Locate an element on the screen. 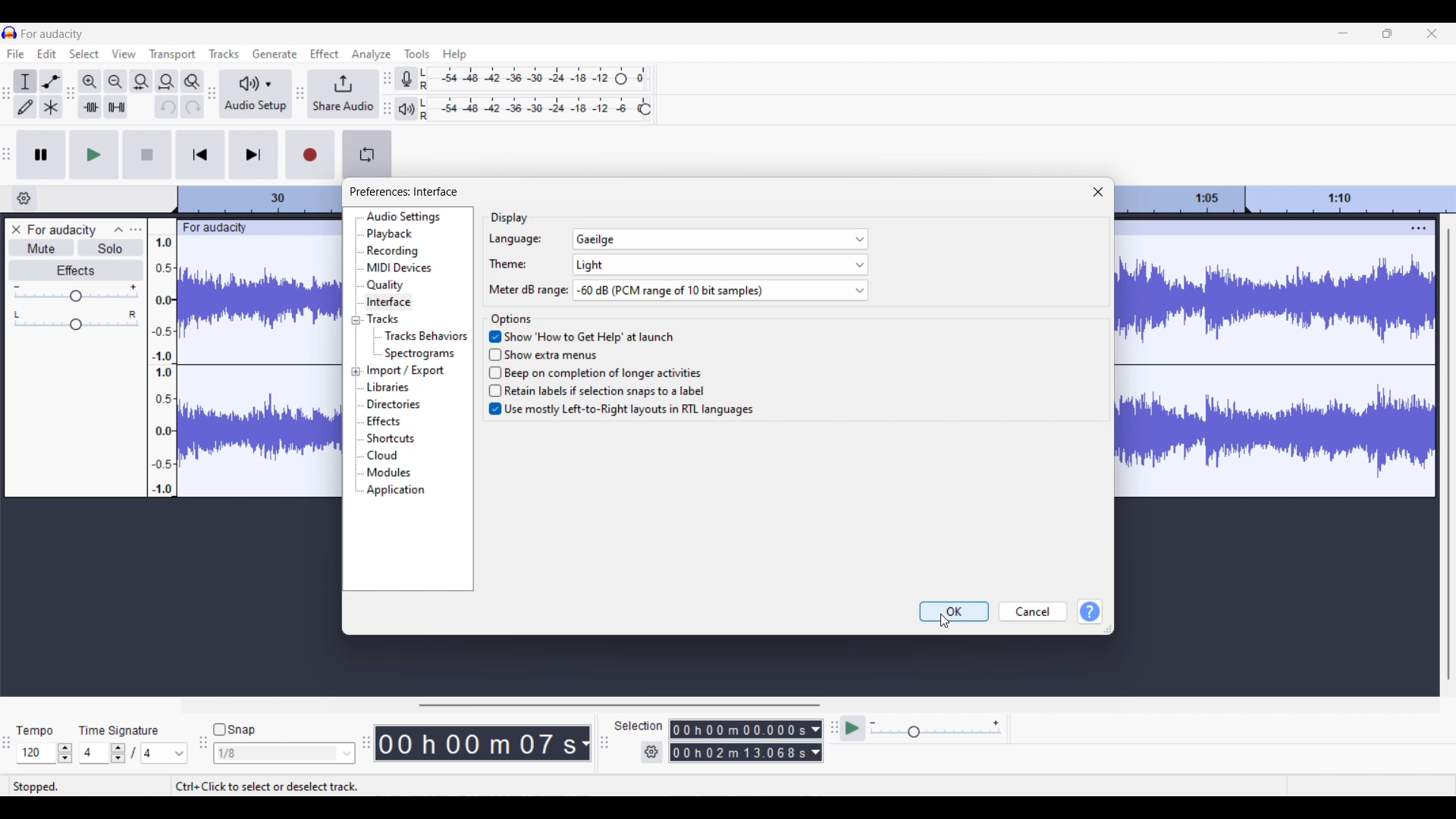 Image resolution: width=1456 pixels, height=819 pixels. Pause is located at coordinates (41, 155).